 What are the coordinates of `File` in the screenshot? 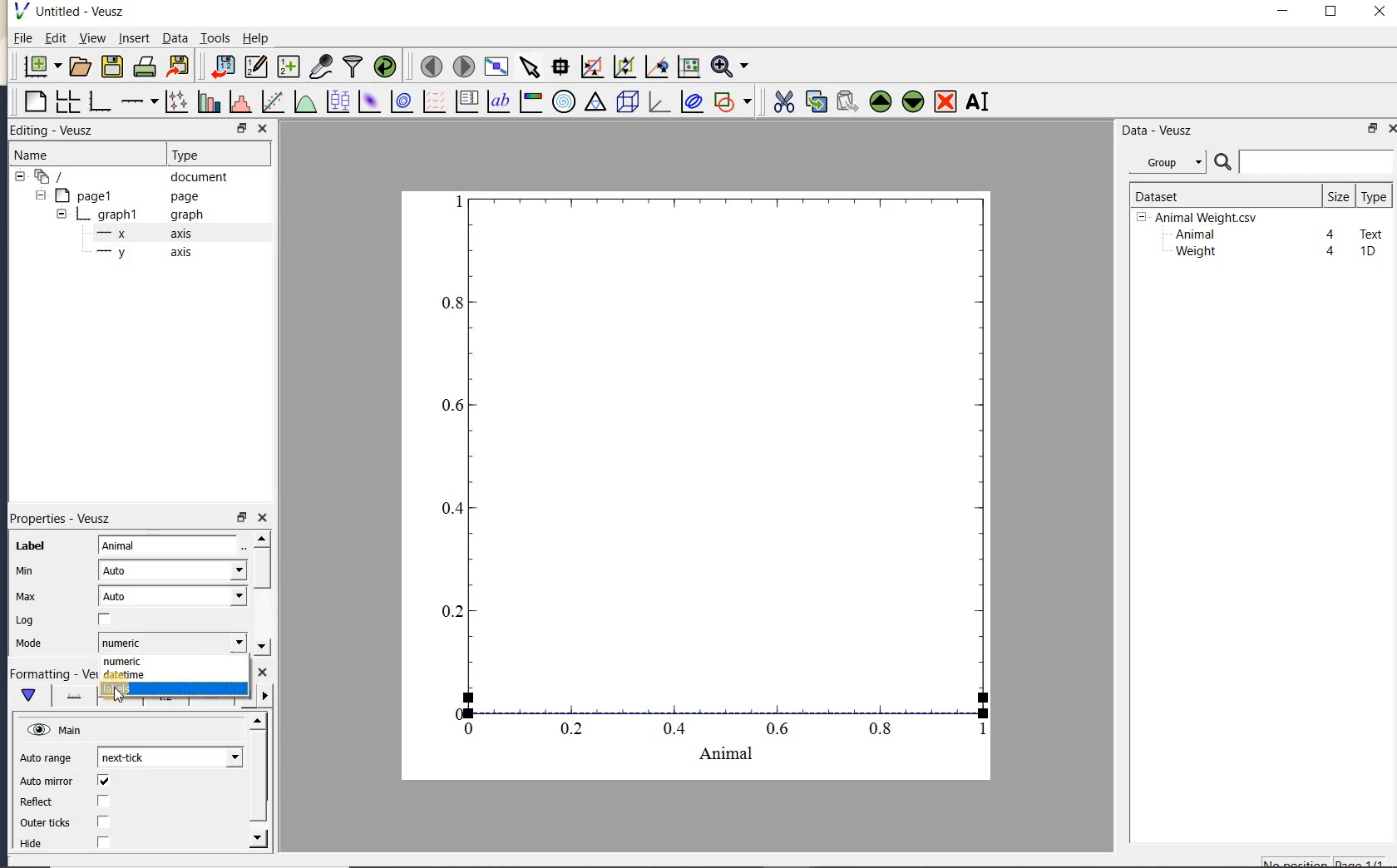 It's located at (23, 38).